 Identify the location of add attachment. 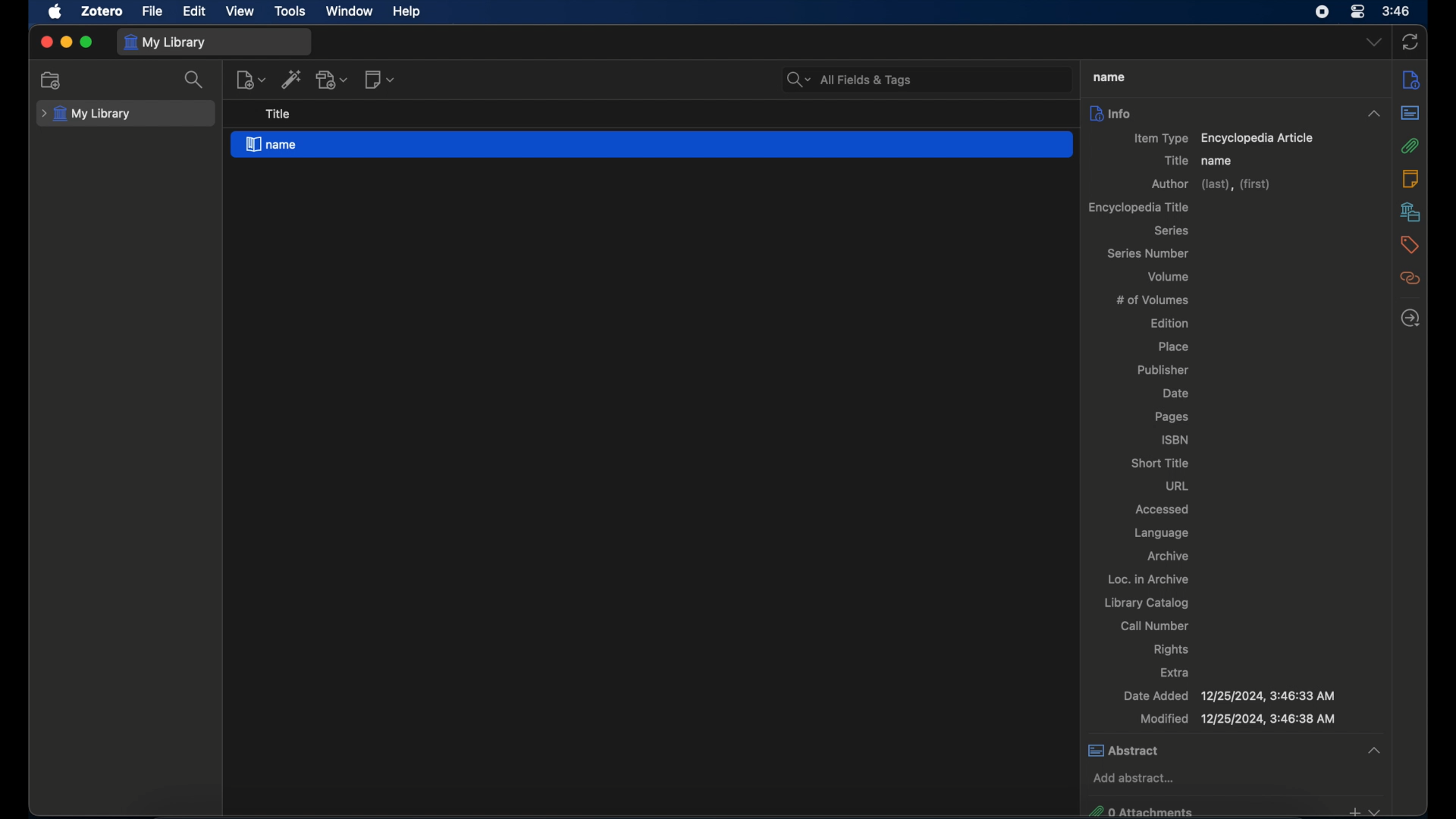
(332, 80).